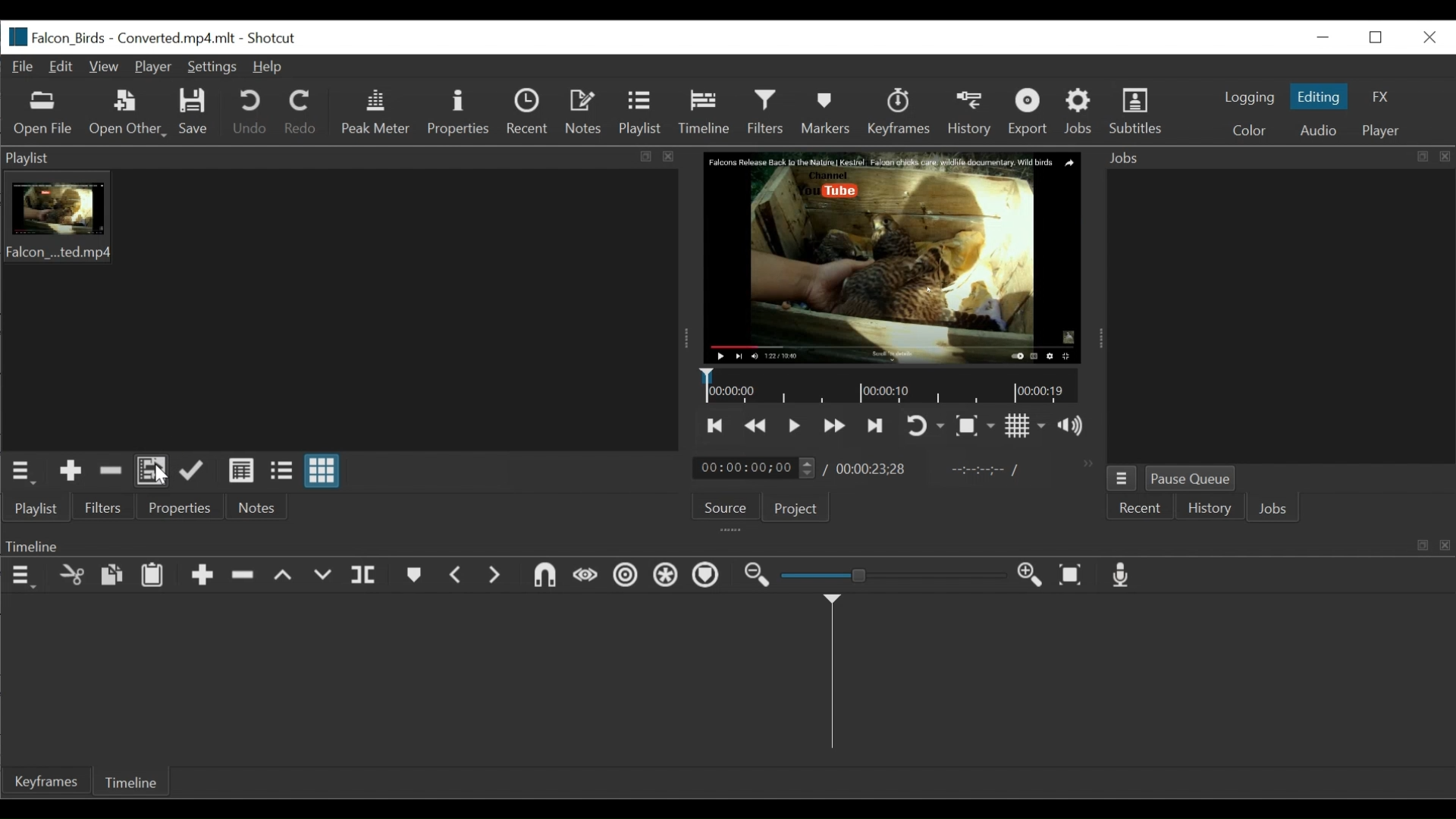 The height and width of the screenshot is (819, 1456). Describe the element at coordinates (322, 576) in the screenshot. I see `Overwrite` at that location.